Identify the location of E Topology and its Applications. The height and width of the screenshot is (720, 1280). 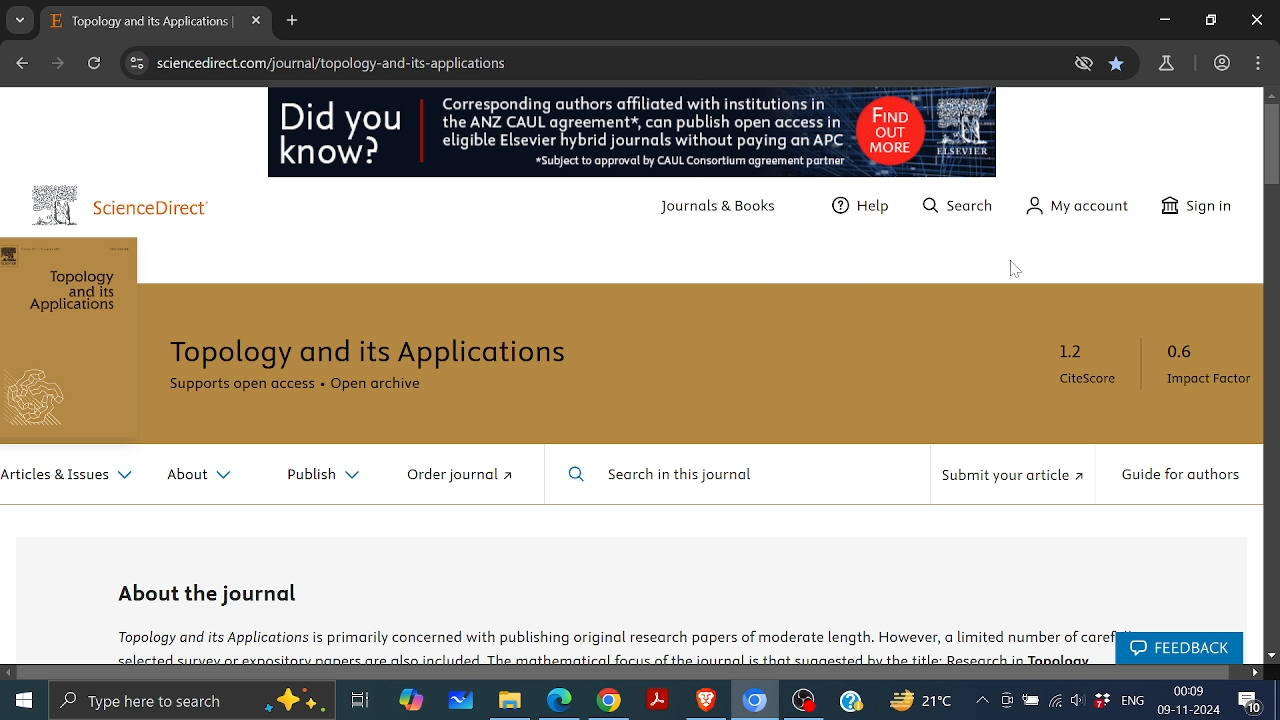
(139, 21).